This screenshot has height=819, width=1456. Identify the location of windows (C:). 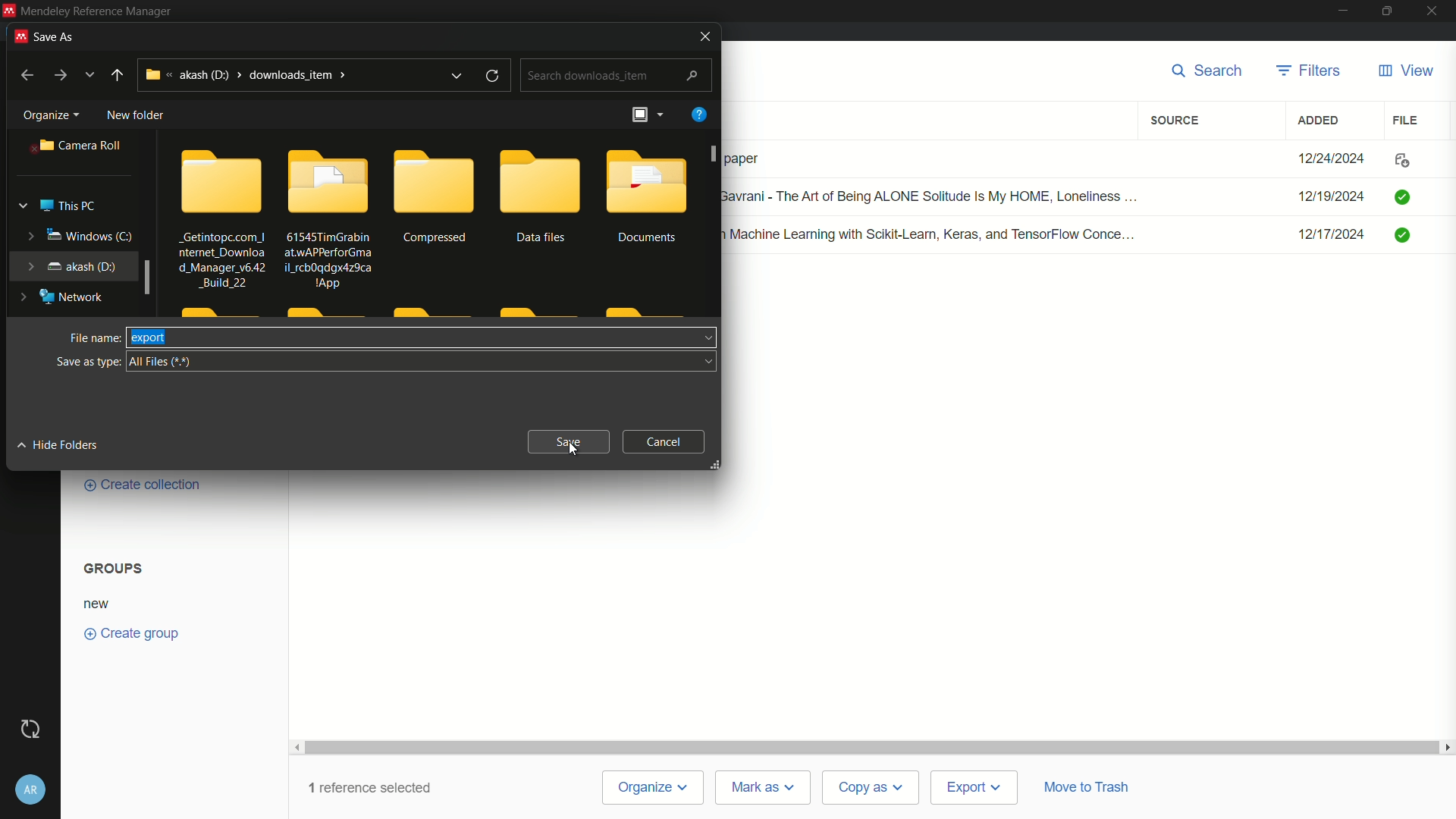
(77, 237).